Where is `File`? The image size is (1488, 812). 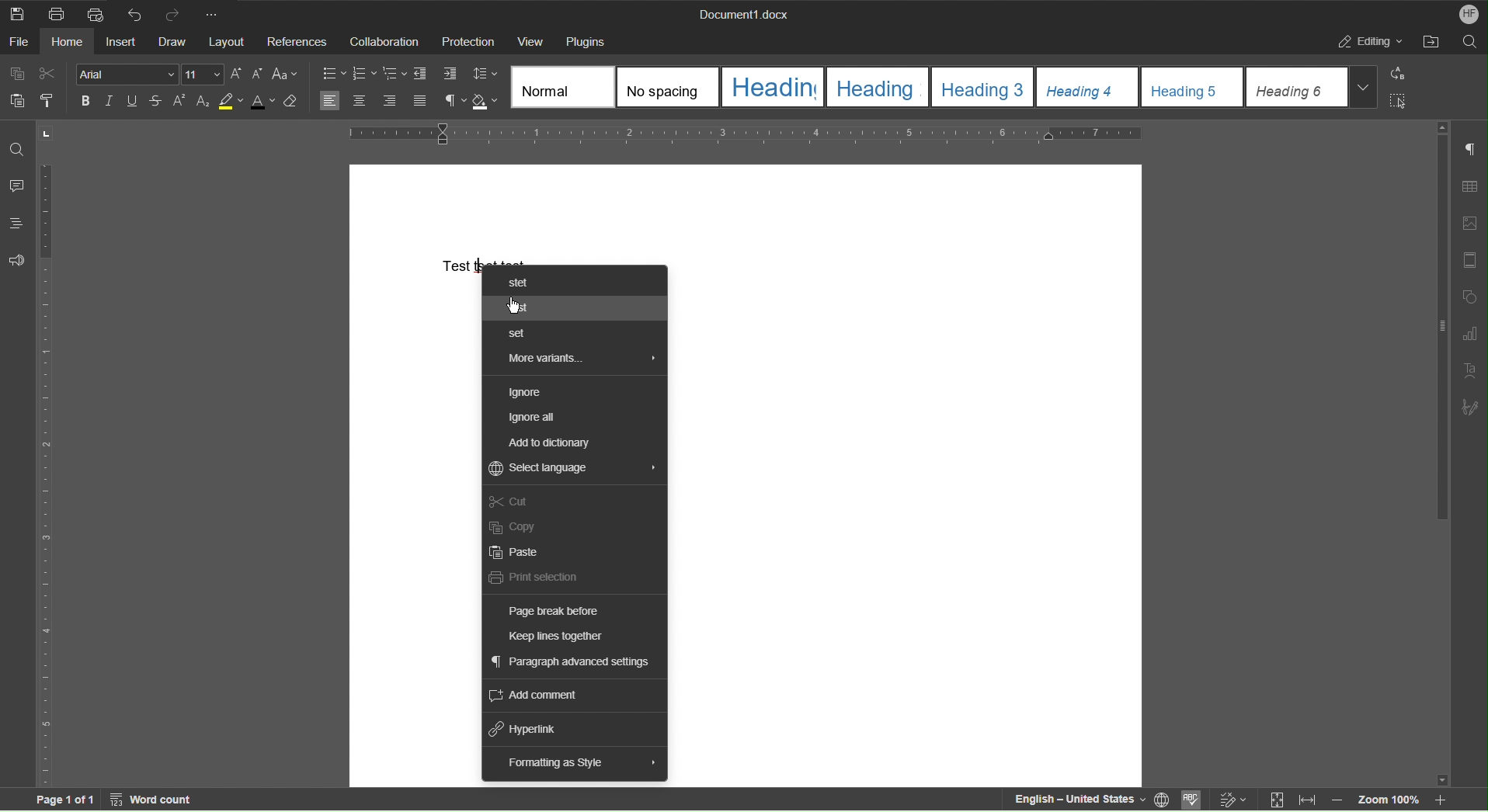 File is located at coordinates (20, 41).